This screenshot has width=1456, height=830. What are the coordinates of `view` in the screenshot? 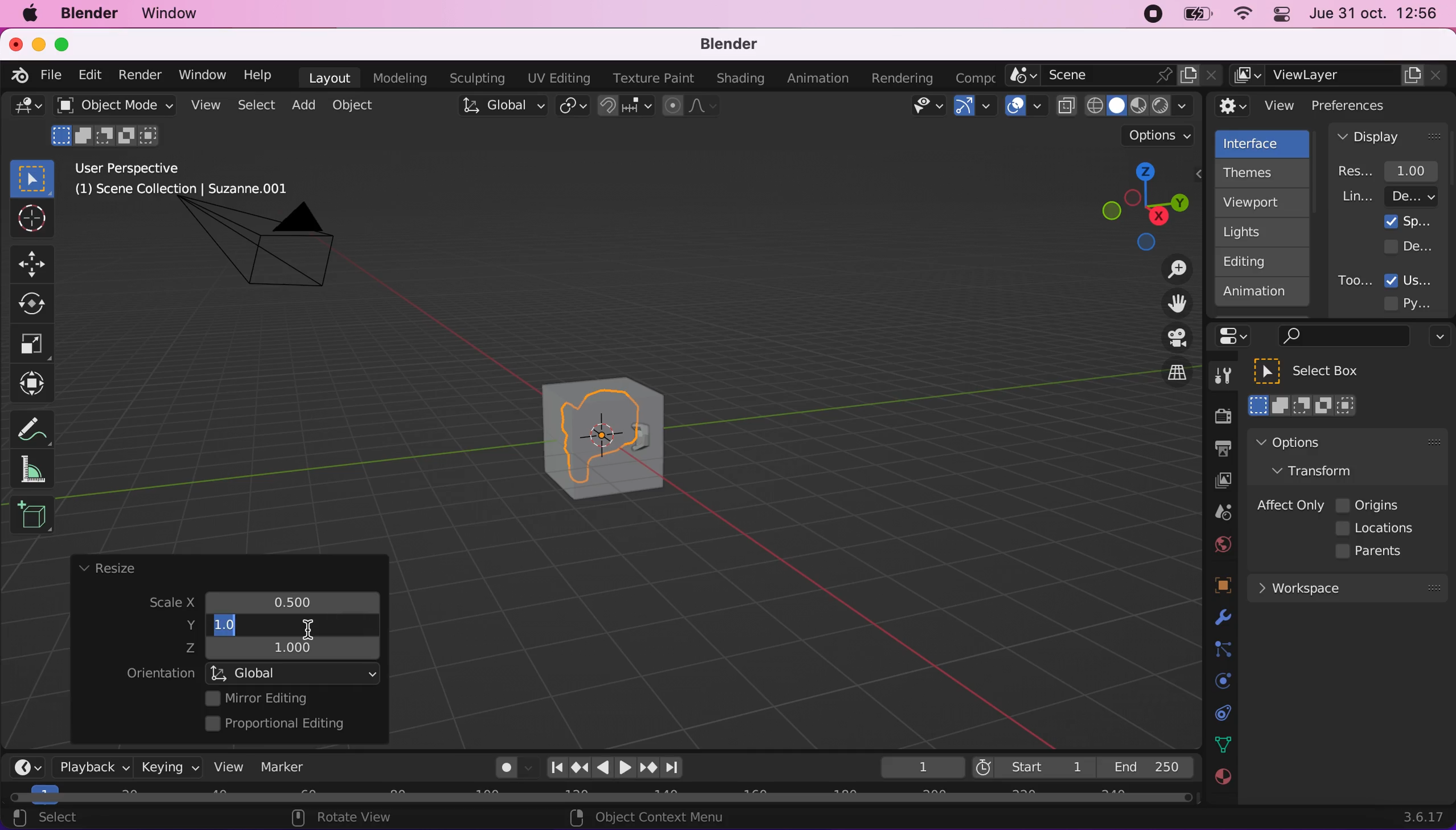 It's located at (1256, 106).